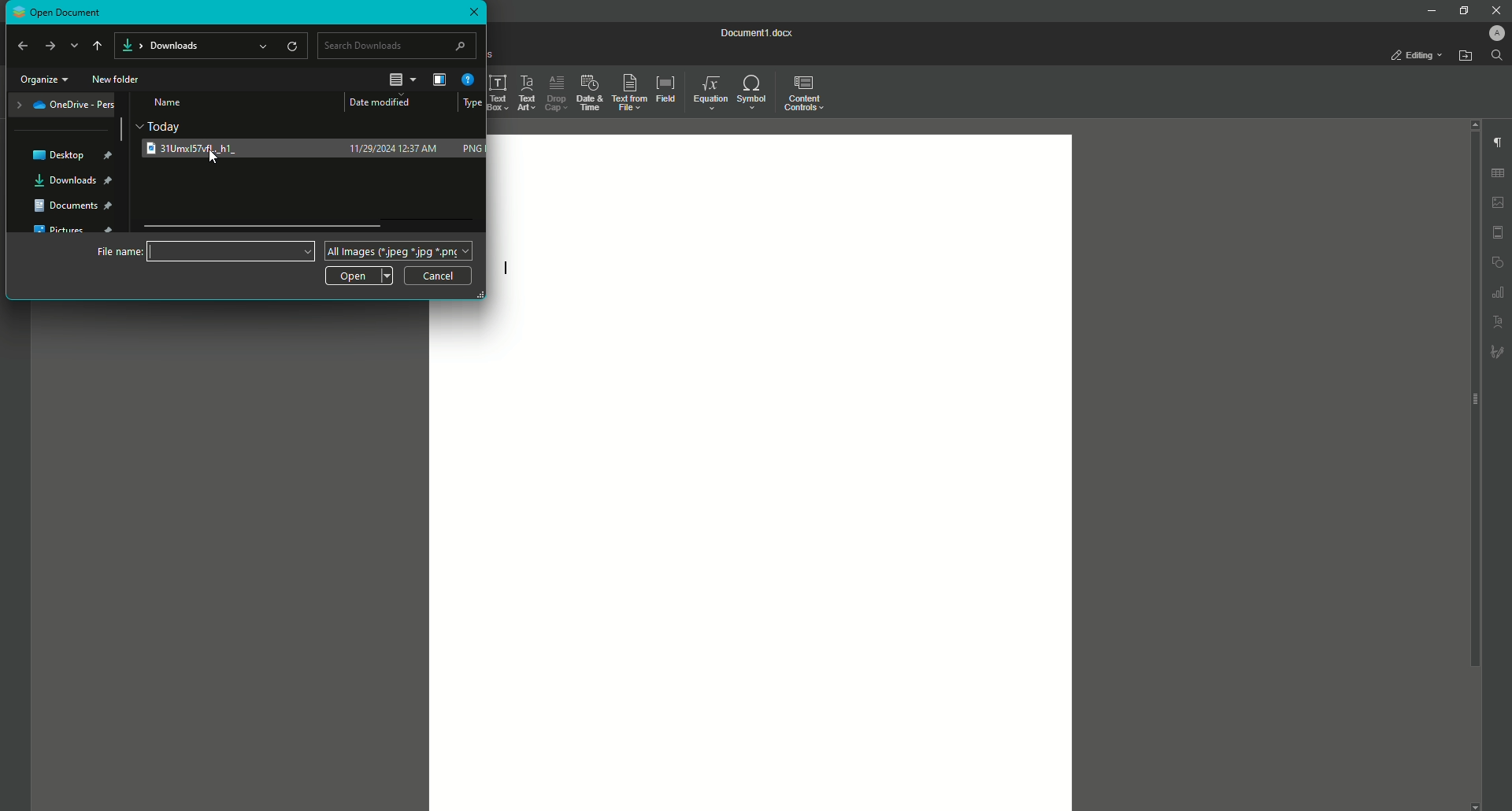  What do you see at coordinates (361, 275) in the screenshot?
I see `Open` at bounding box center [361, 275].